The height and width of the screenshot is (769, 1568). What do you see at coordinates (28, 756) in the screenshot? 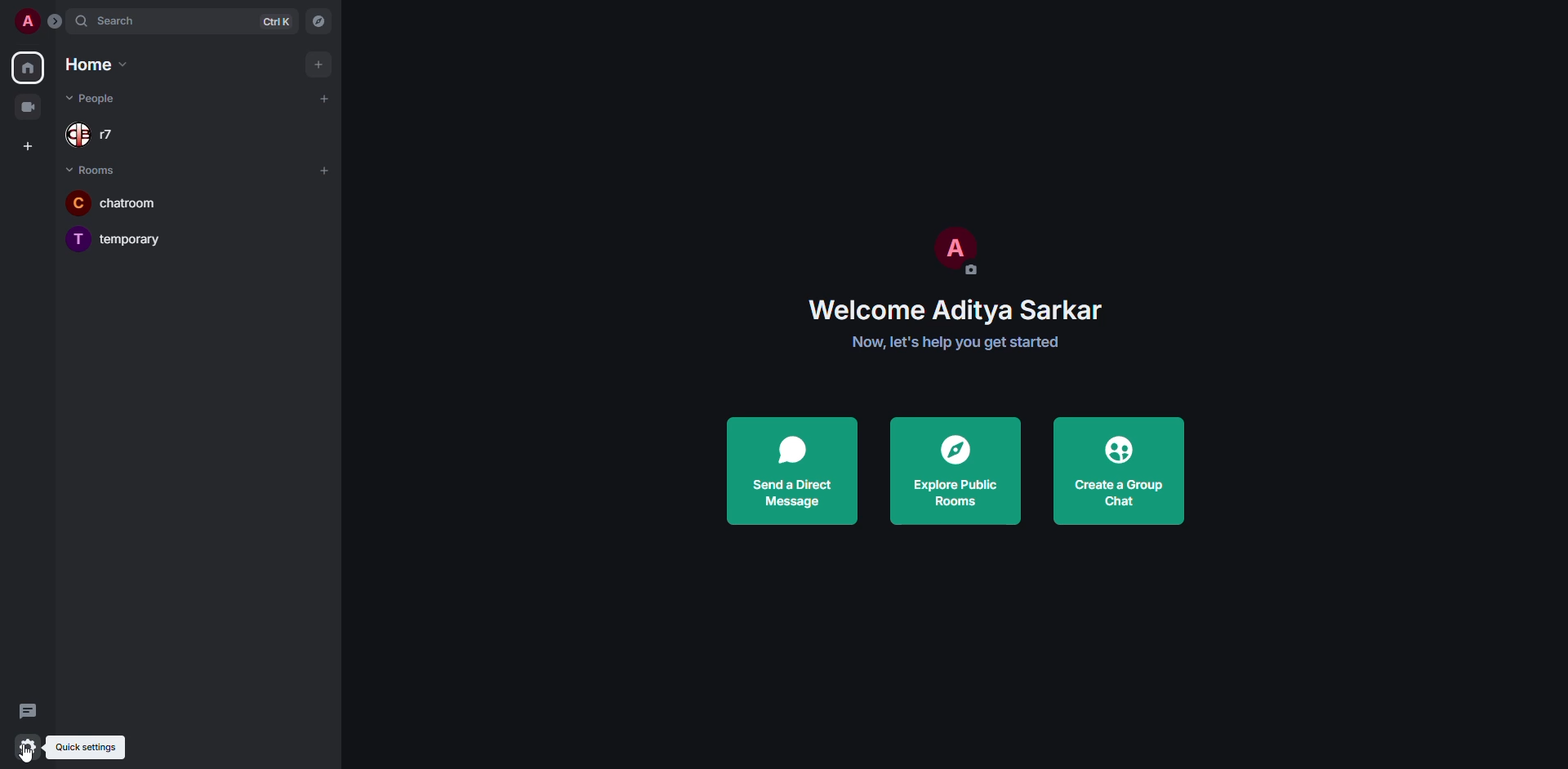
I see `cursor` at bounding box center [28, 756].